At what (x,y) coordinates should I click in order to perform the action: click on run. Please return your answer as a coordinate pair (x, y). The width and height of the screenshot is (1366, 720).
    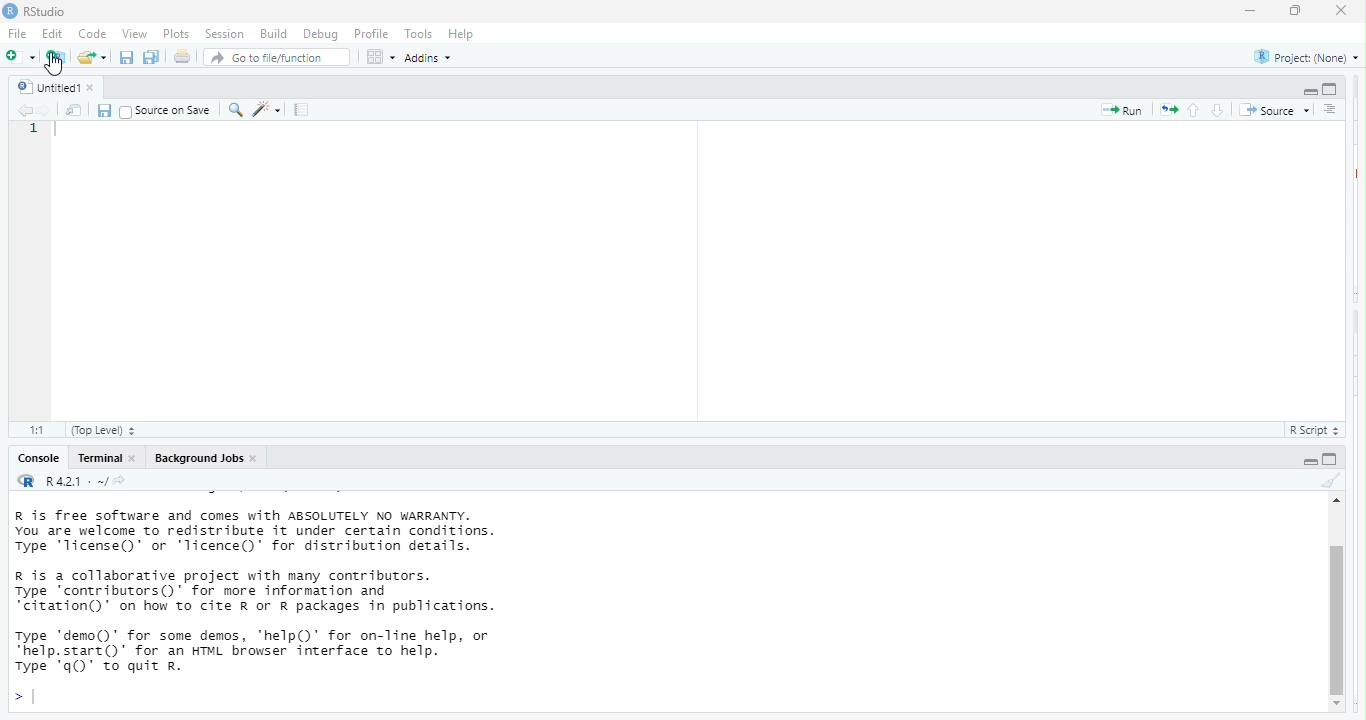
    Looking at the image, I should click on (1118, 112).